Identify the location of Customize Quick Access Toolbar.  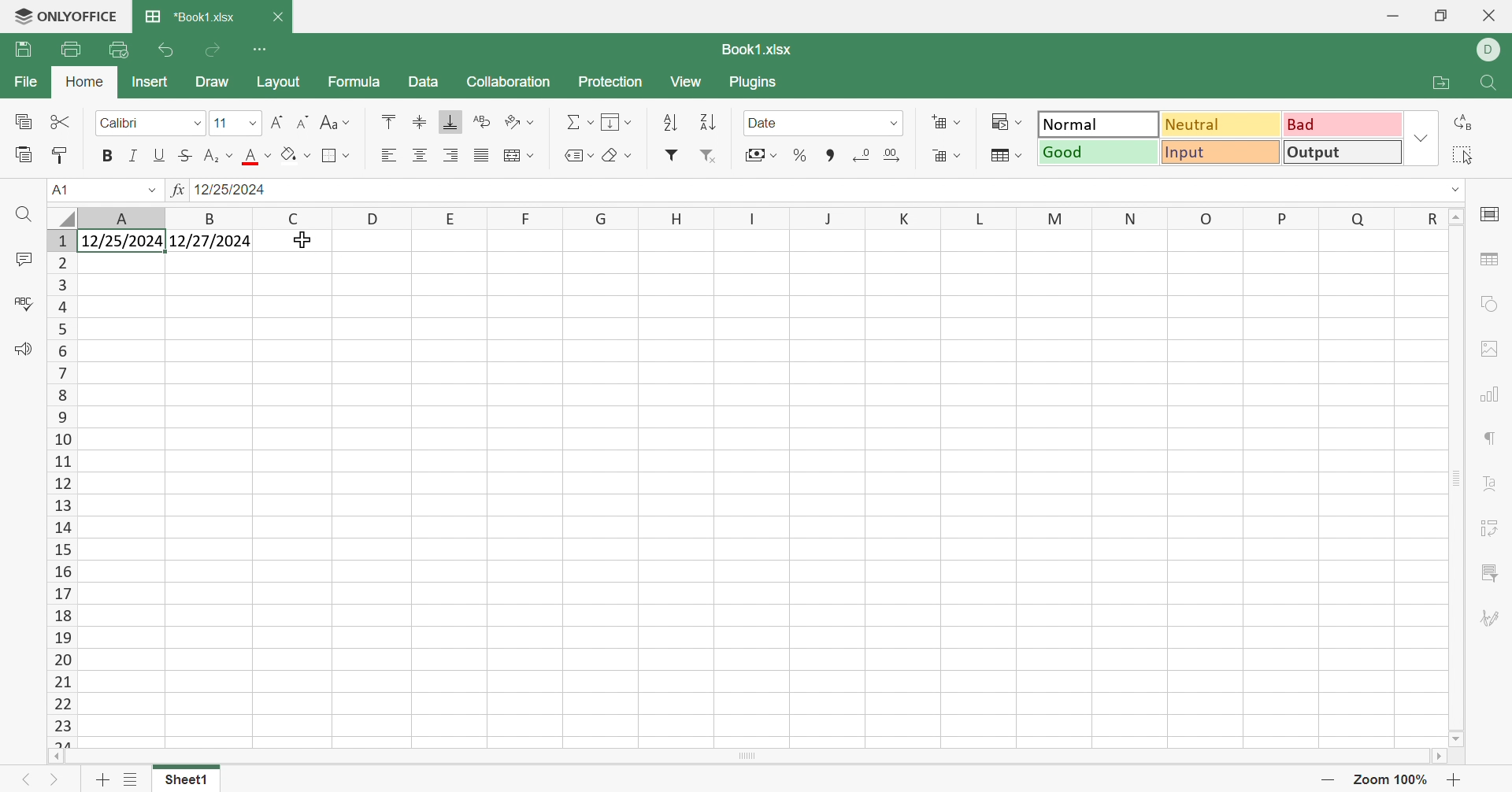
(261, 49).